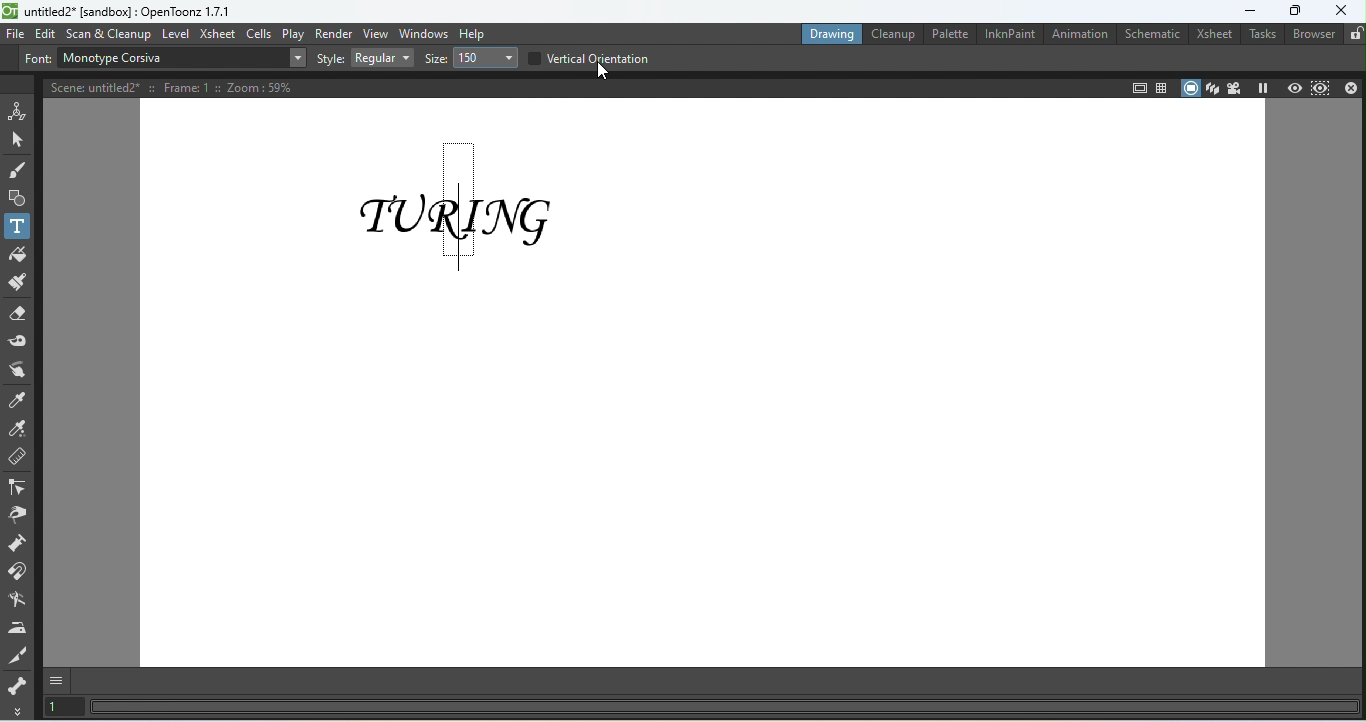 The width and height of the screenshot is (1366, 722). I want to click on Level, so click(175, 33).